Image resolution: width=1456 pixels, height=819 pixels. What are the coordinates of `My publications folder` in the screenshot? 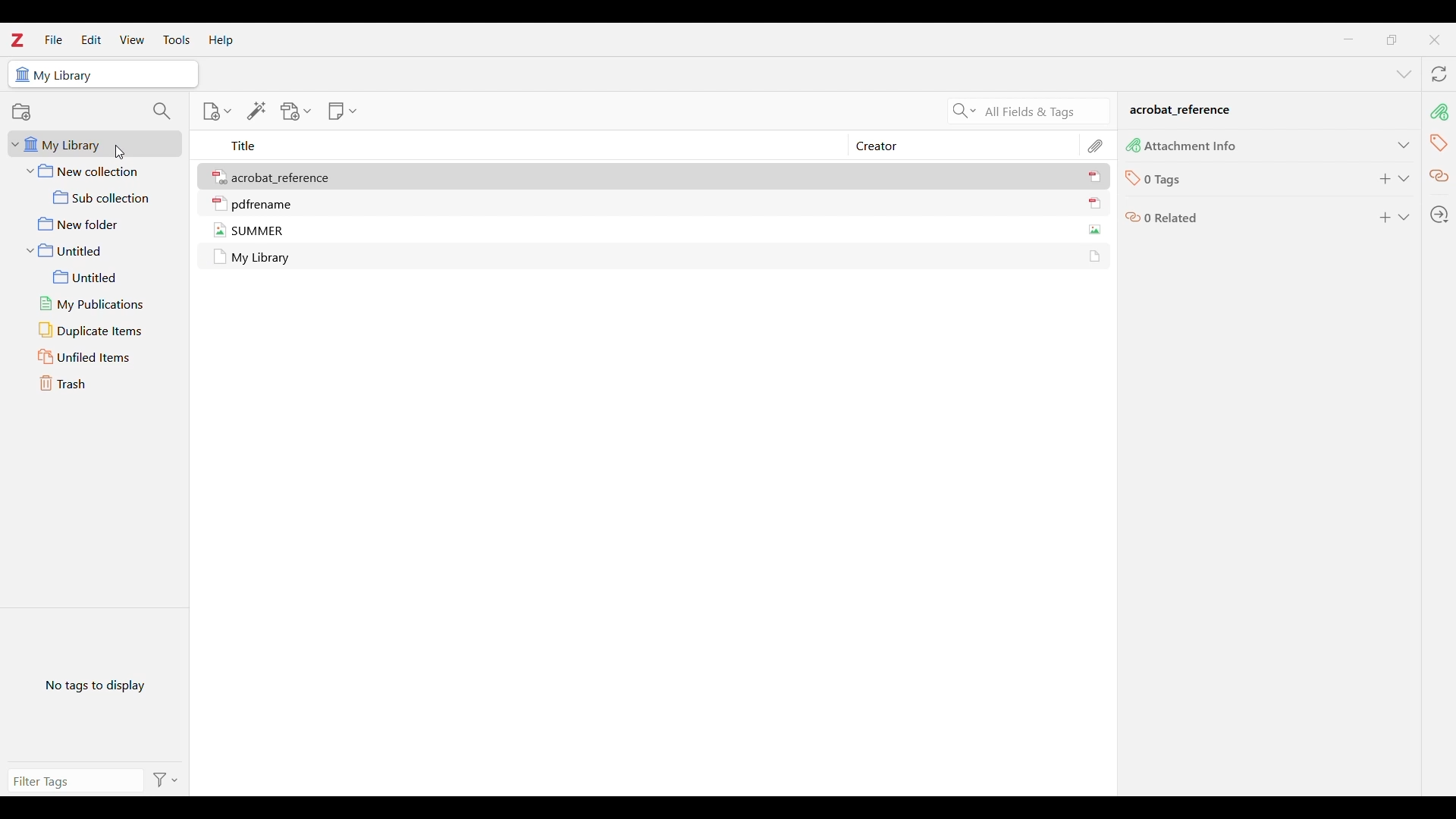 It's located at (100, 304).